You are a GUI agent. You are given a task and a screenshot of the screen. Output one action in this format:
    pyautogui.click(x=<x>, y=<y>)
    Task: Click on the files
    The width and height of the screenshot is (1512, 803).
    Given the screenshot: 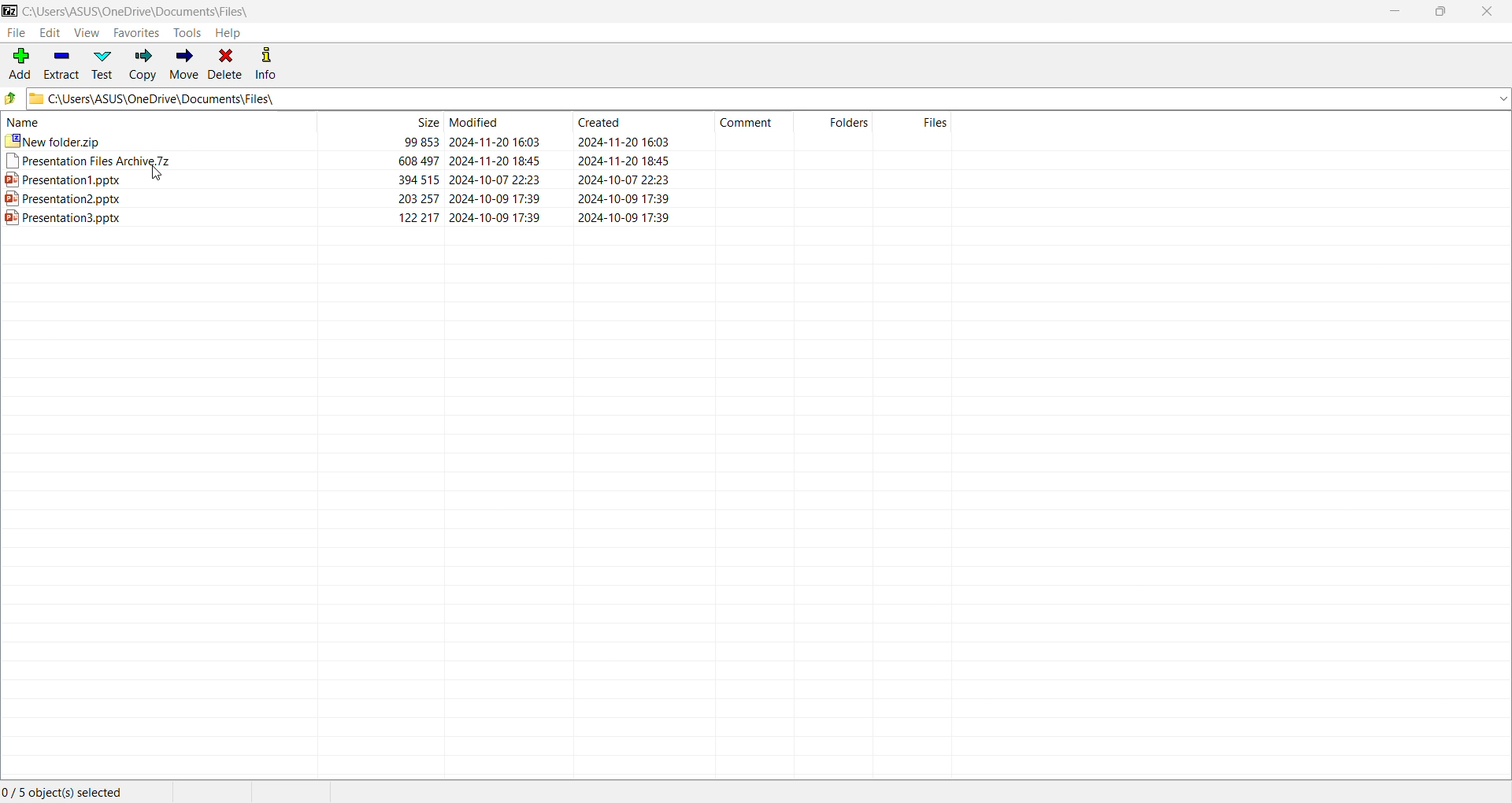 What is the action you would take?
    pyautogui.click(x=917, y=121)
    